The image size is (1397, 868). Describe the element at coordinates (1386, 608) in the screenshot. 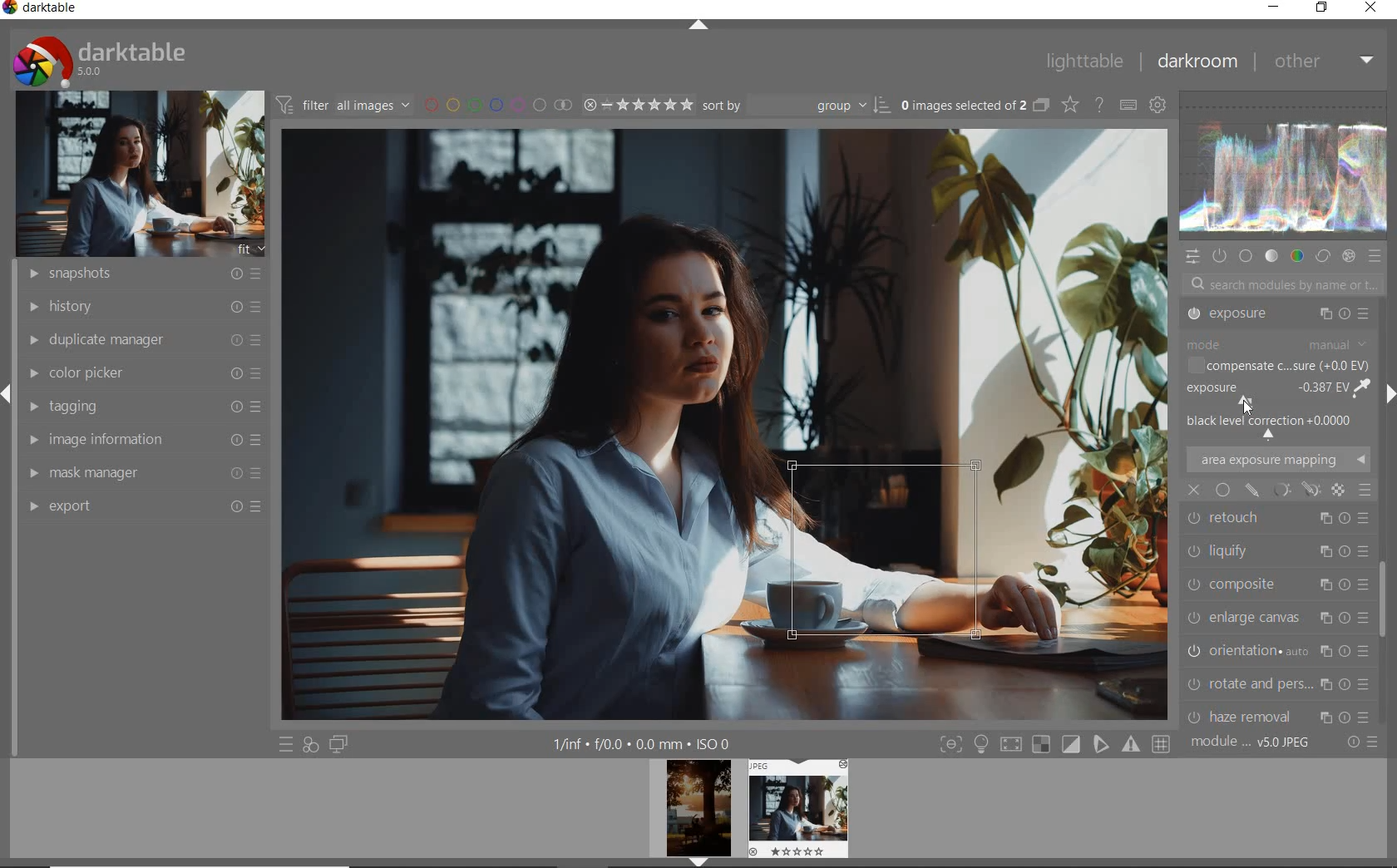

I see `SCROLLBAR` at that location.